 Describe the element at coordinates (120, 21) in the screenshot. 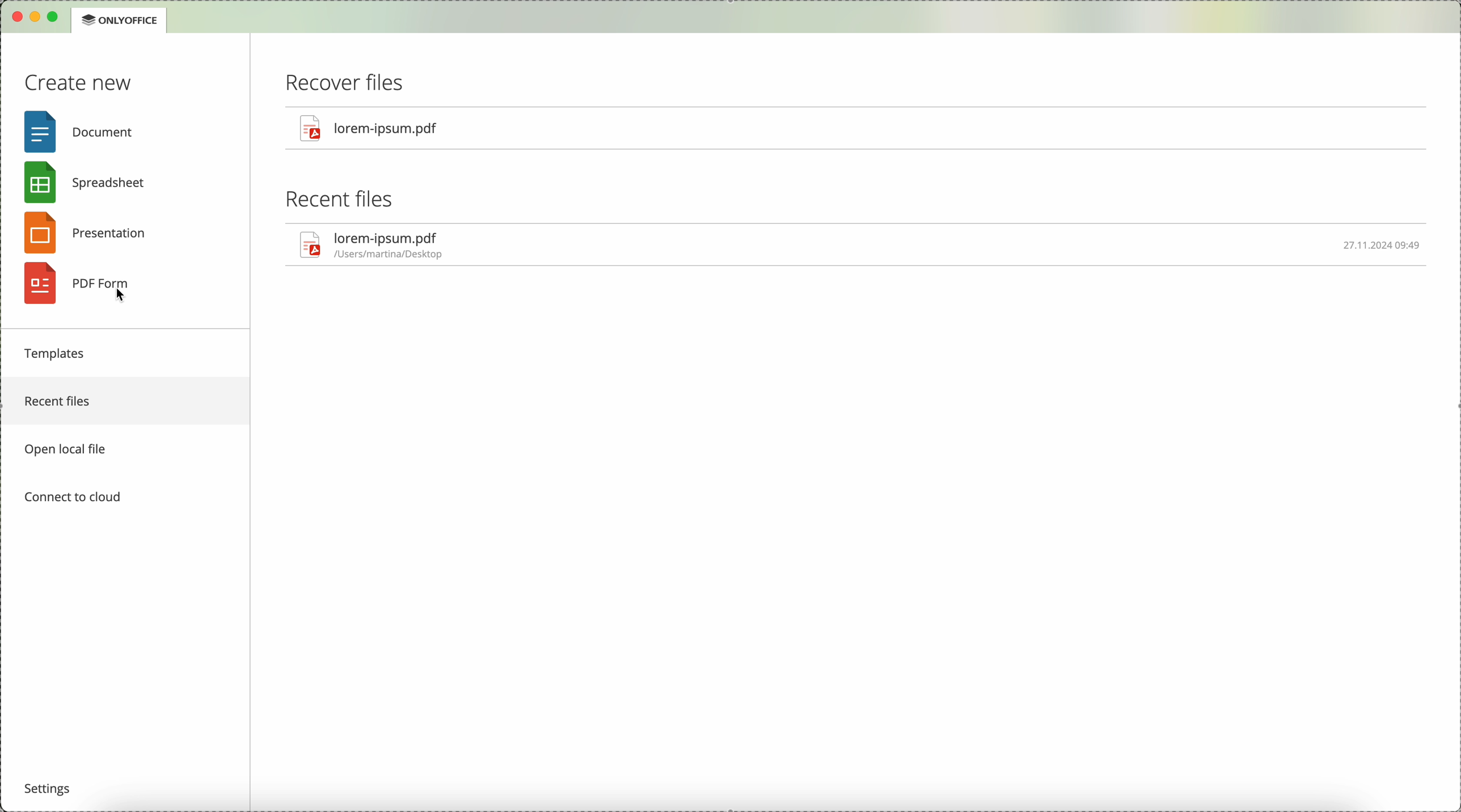

I see `ONLYOFFICE` at that location.